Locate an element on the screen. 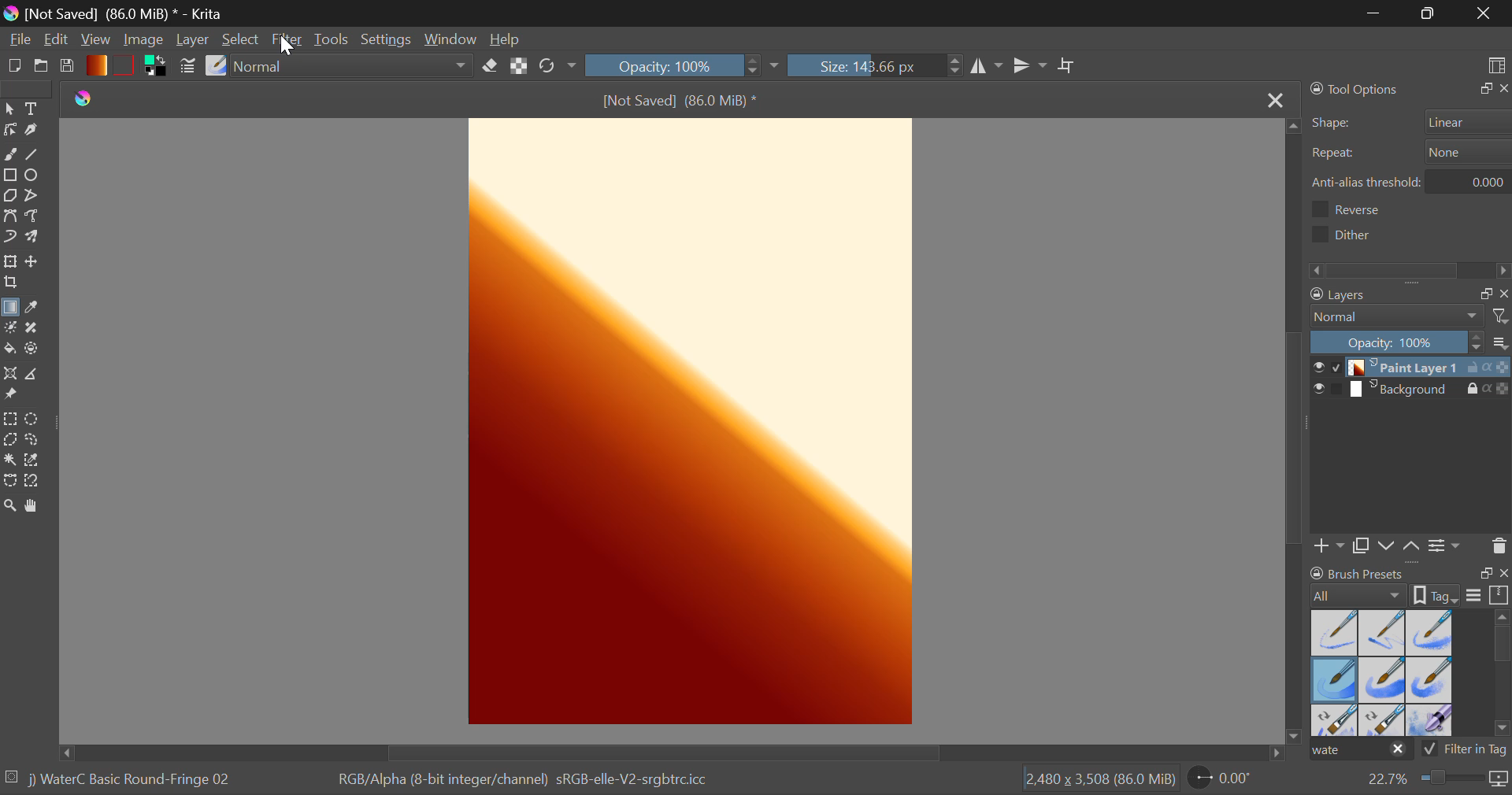  Zoom is located at coordinates (10, 506).